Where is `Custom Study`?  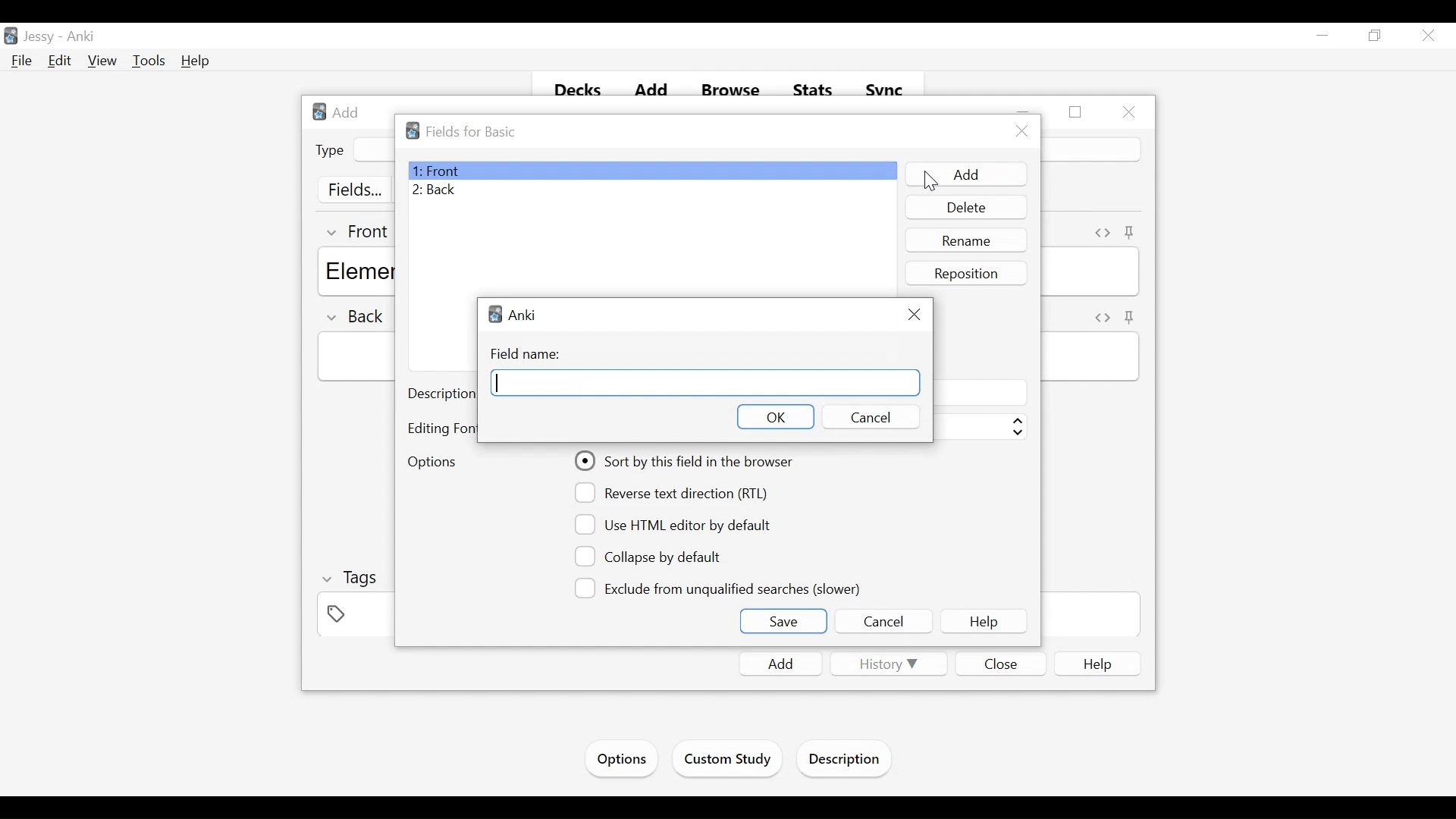
Custom Study is located at coordinates (729, 761).